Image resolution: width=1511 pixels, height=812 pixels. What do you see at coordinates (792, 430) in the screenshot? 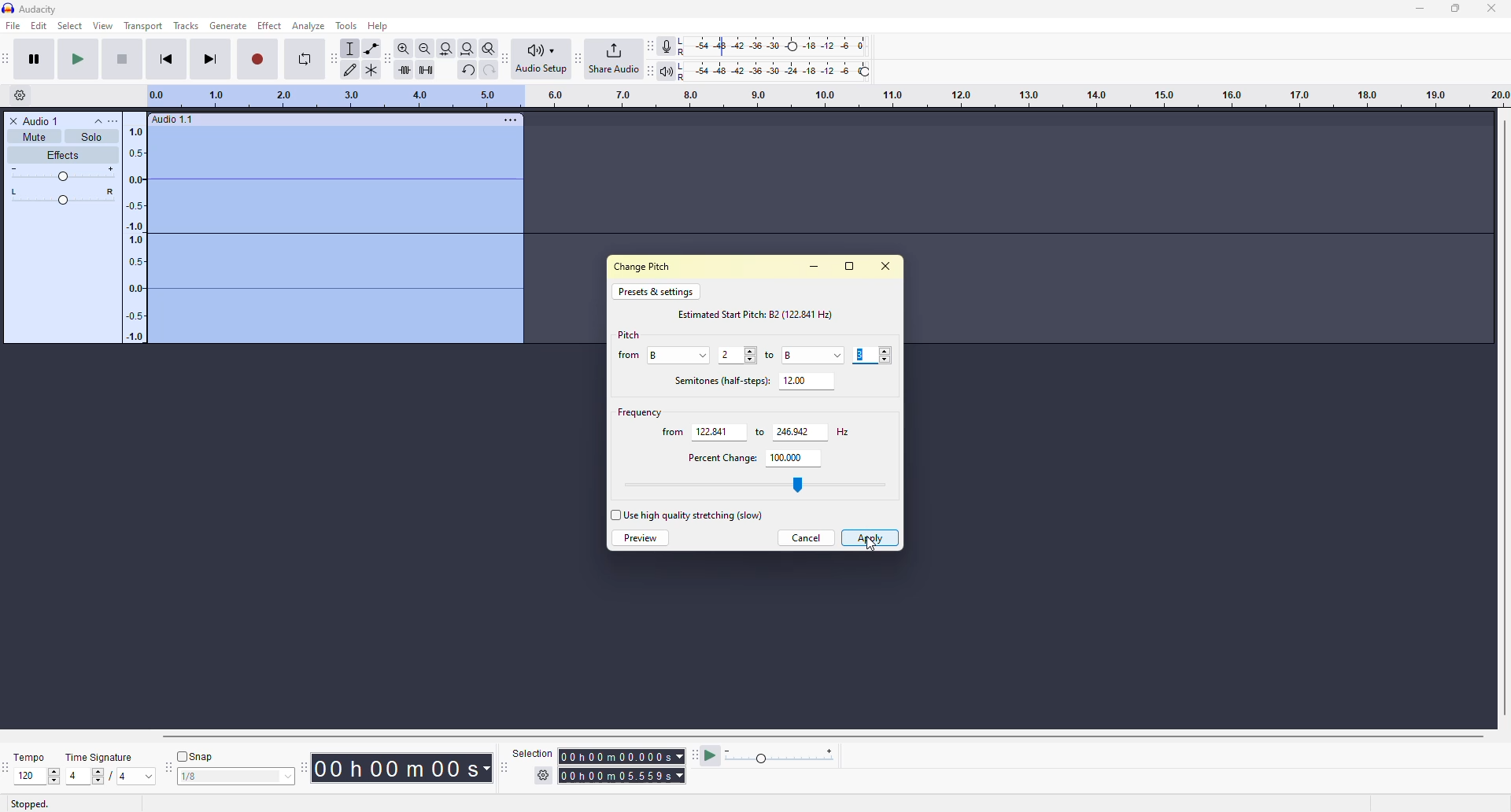
I see `value` at bounding box center [792, 430].